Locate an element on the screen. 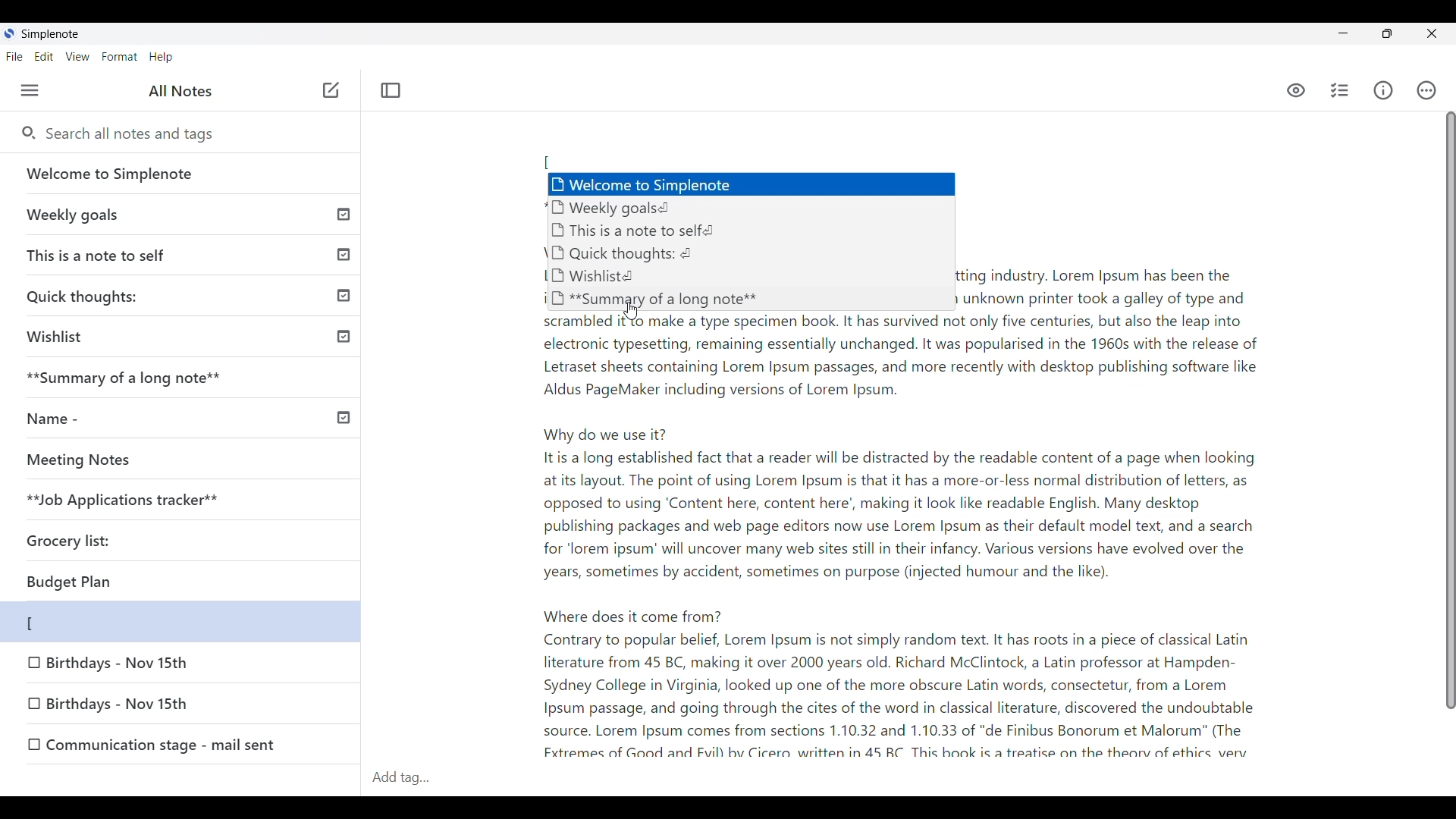 The image size is (1456, 819). Note text changed and changed order within the list due to sorting is located at coordinates (180, 622).